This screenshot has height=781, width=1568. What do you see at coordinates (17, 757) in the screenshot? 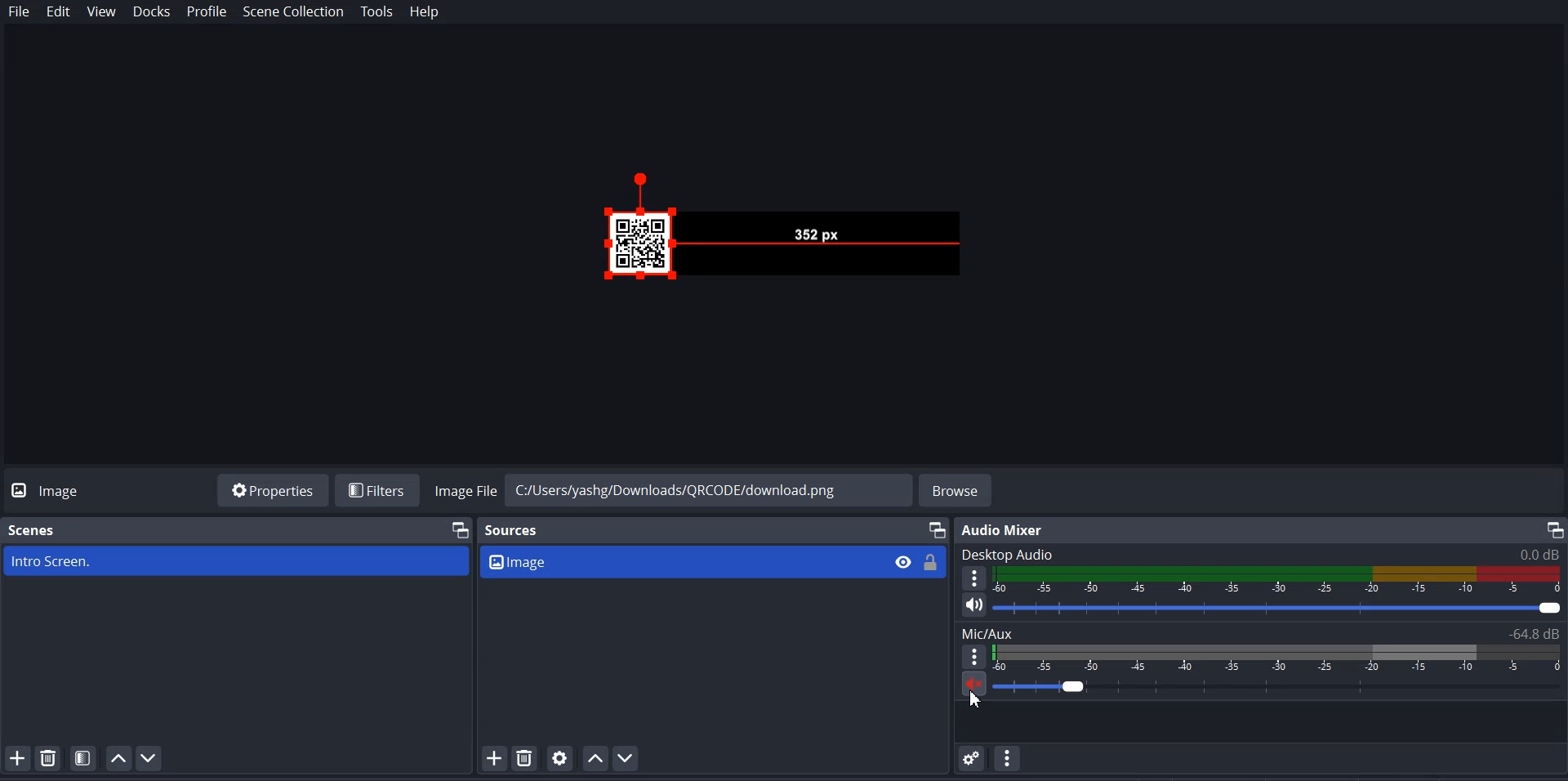
I see `Add Scene` at bounding box center [17, 757].